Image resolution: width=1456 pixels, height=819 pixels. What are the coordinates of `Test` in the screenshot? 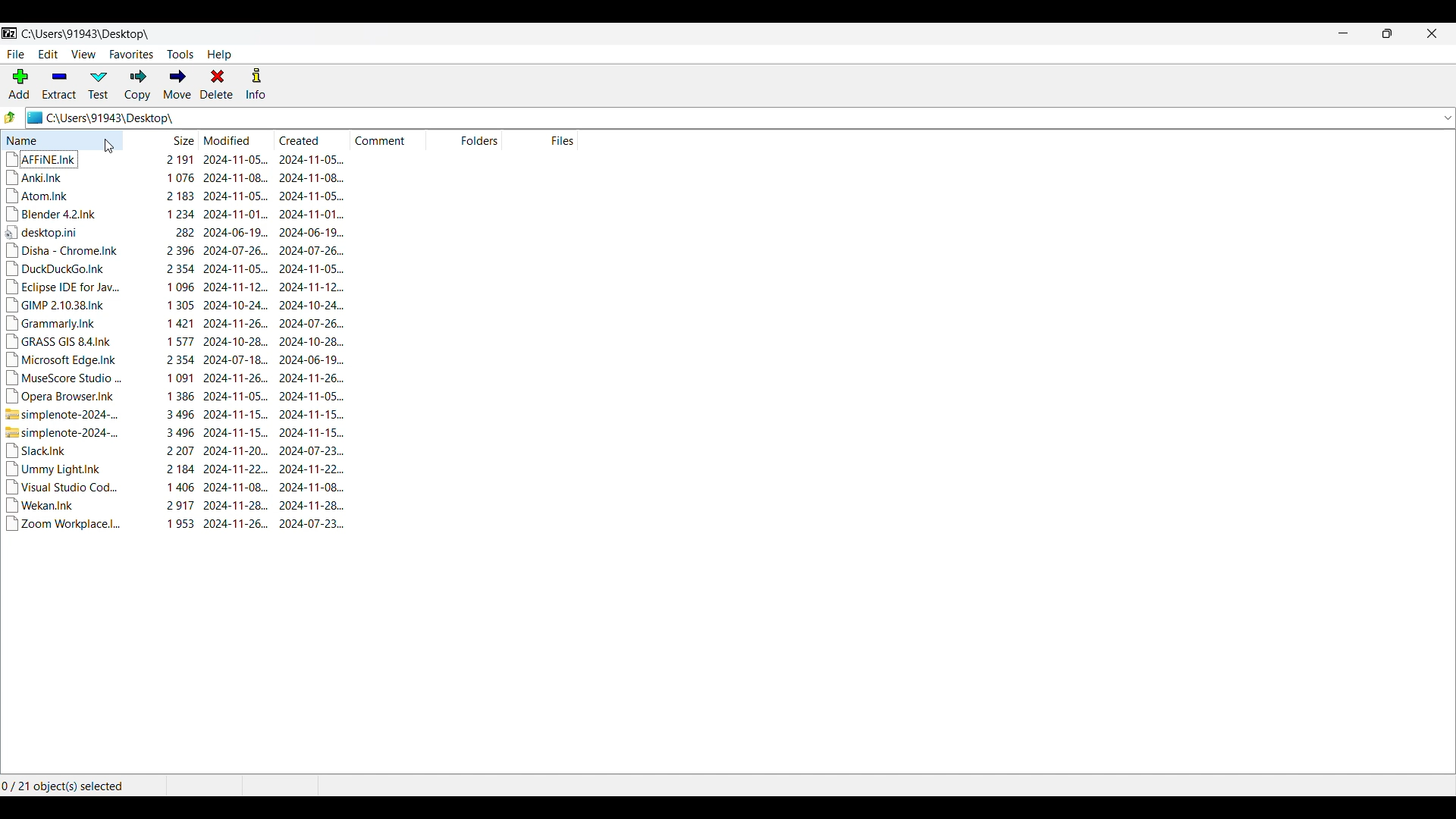 It's located at (99, 86).